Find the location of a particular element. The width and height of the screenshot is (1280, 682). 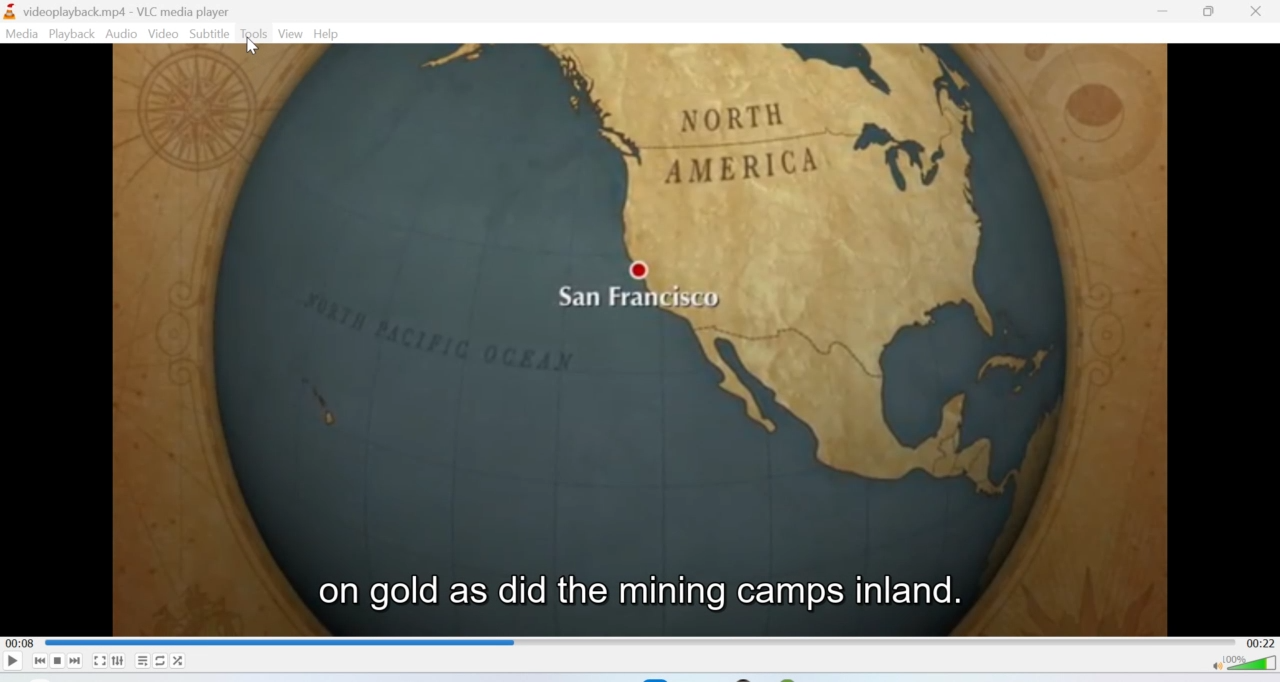

Maximise is located at coordinates (1210, 13).